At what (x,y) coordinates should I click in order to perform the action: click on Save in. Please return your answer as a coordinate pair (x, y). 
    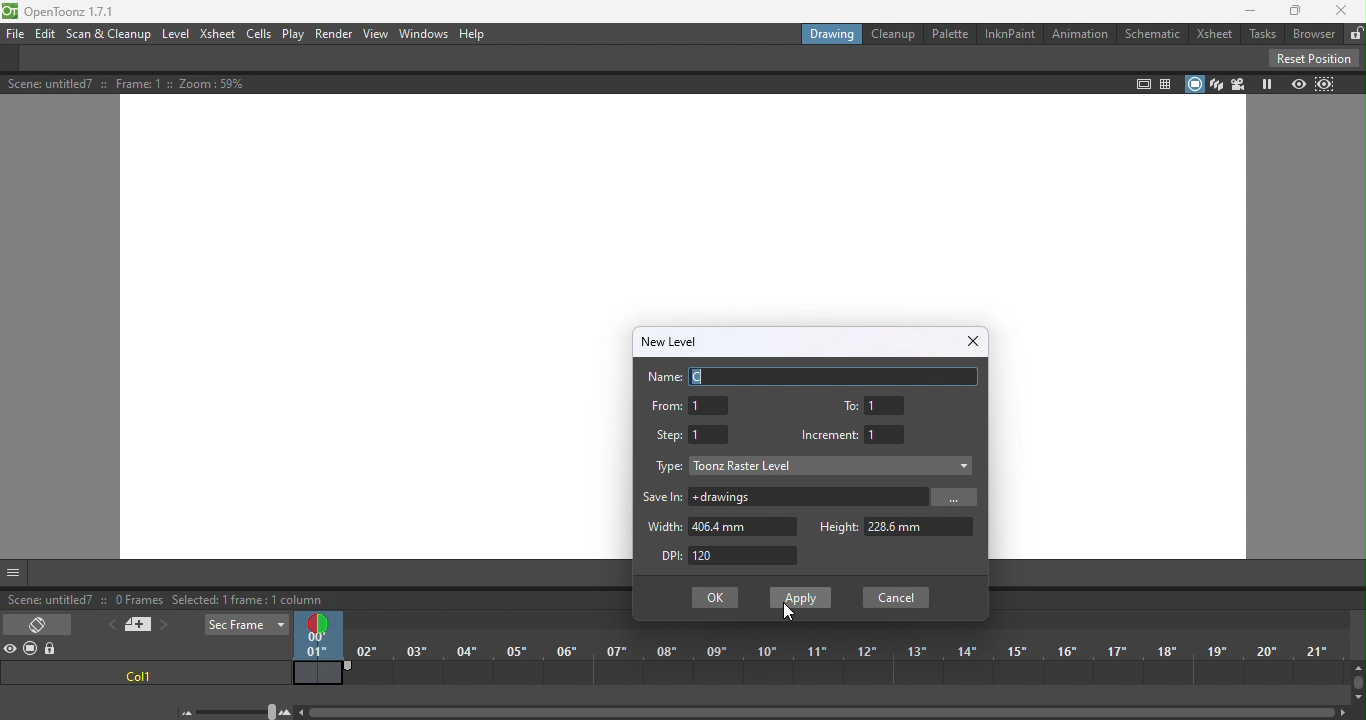
    Looking at the image, I should click on (664, 497).